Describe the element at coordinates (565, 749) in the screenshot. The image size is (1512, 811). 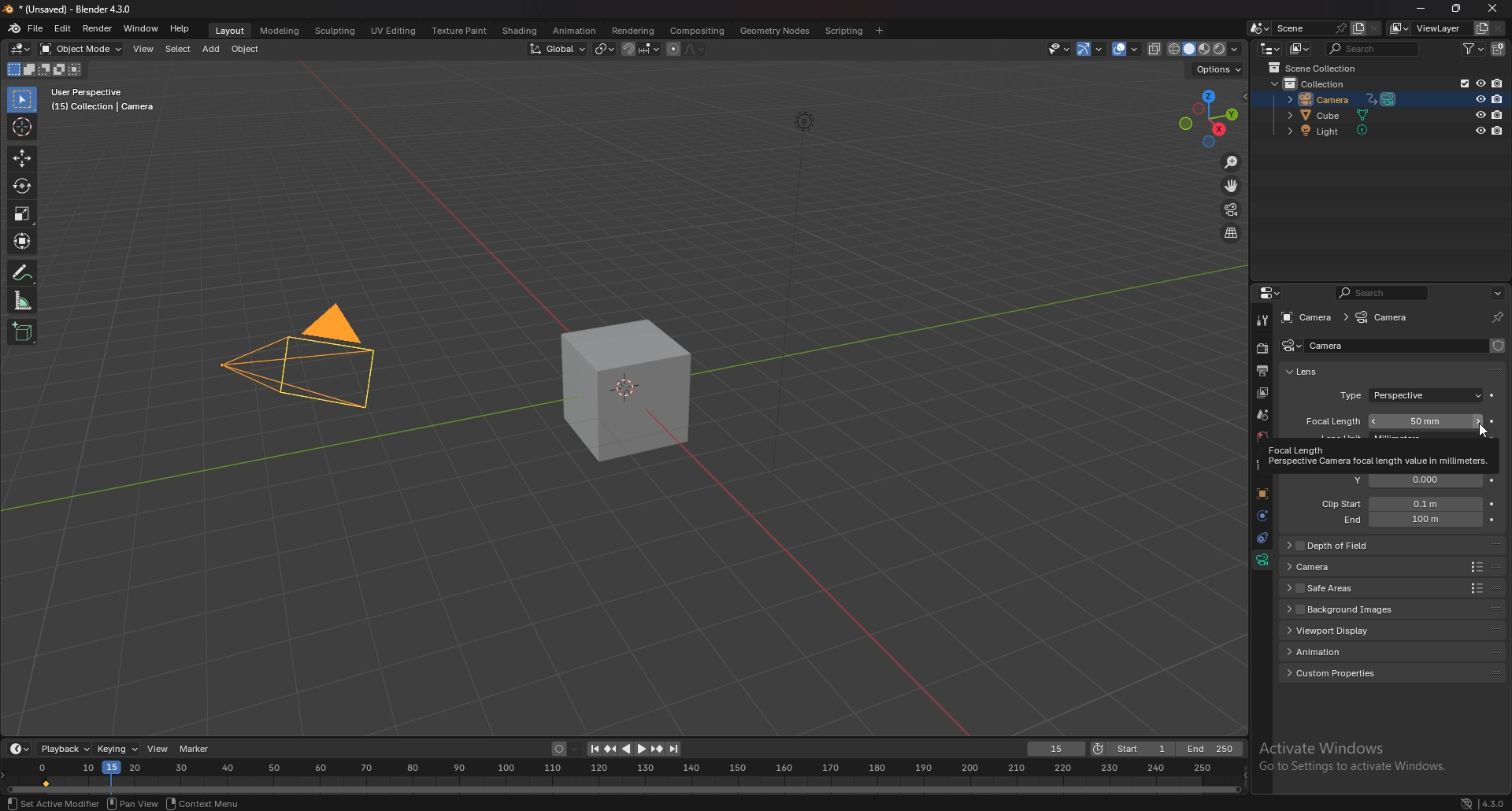
I see `auto keying` at that location.